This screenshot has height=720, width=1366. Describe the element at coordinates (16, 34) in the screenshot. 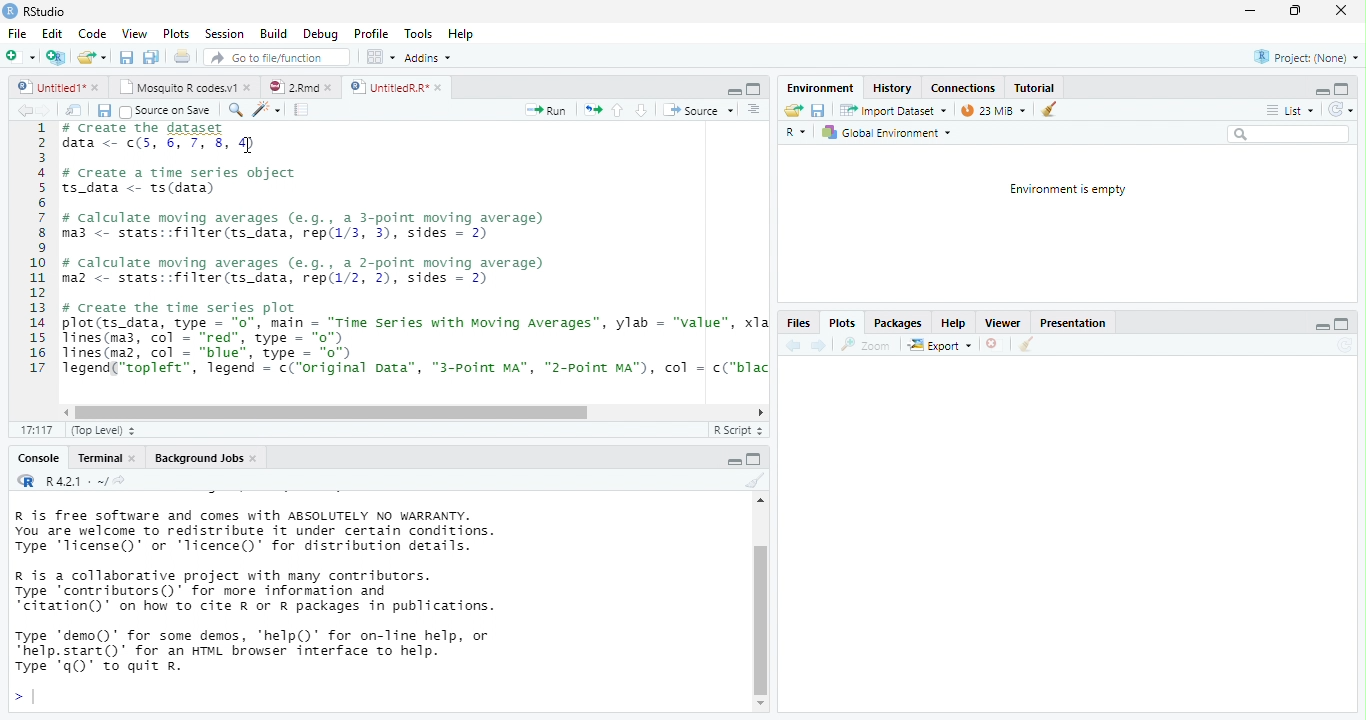

I see `File` at that location.